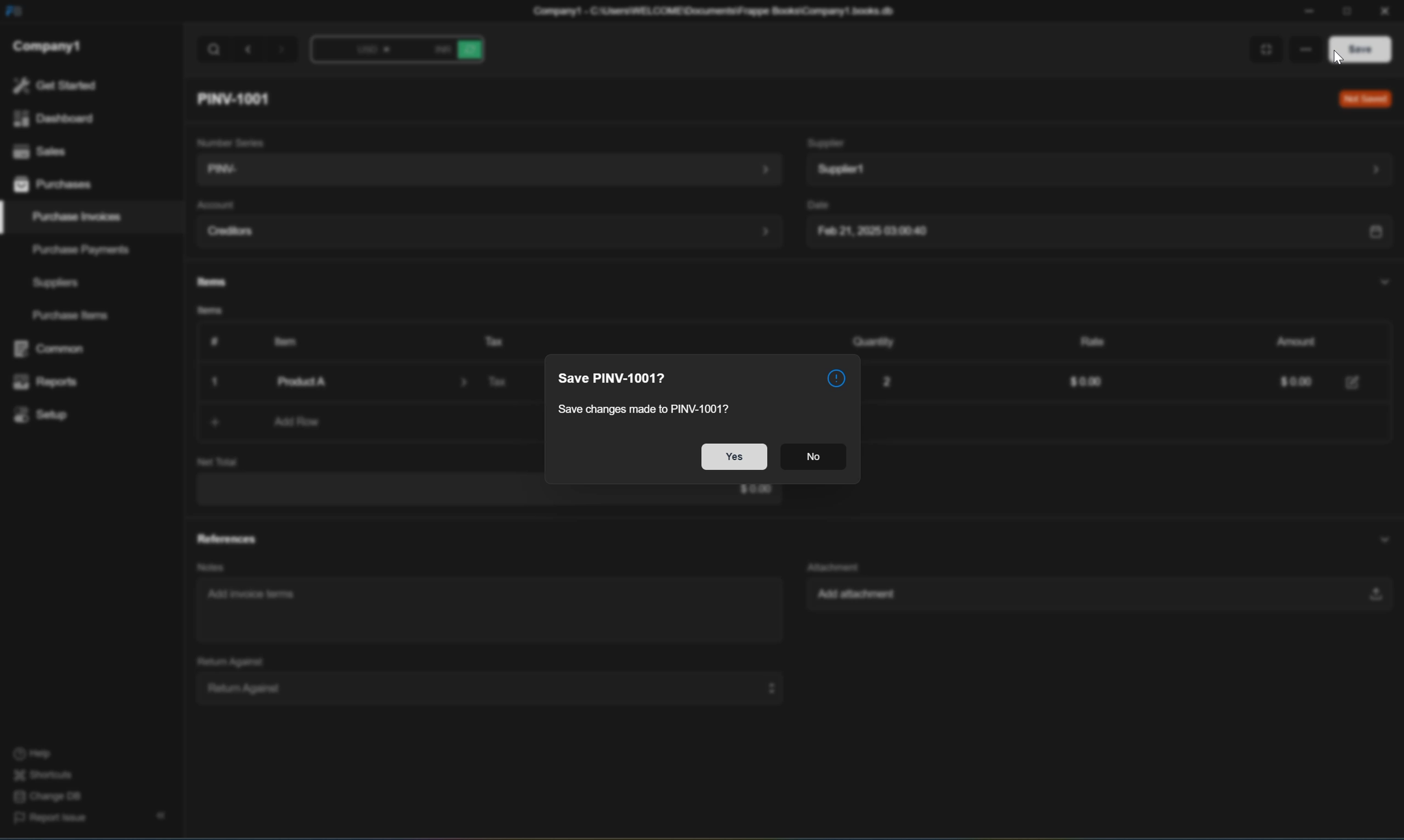  What do you see at coordinates (47, 45) in the screenshot?
I see `company1` at bounding box center [47, 45].